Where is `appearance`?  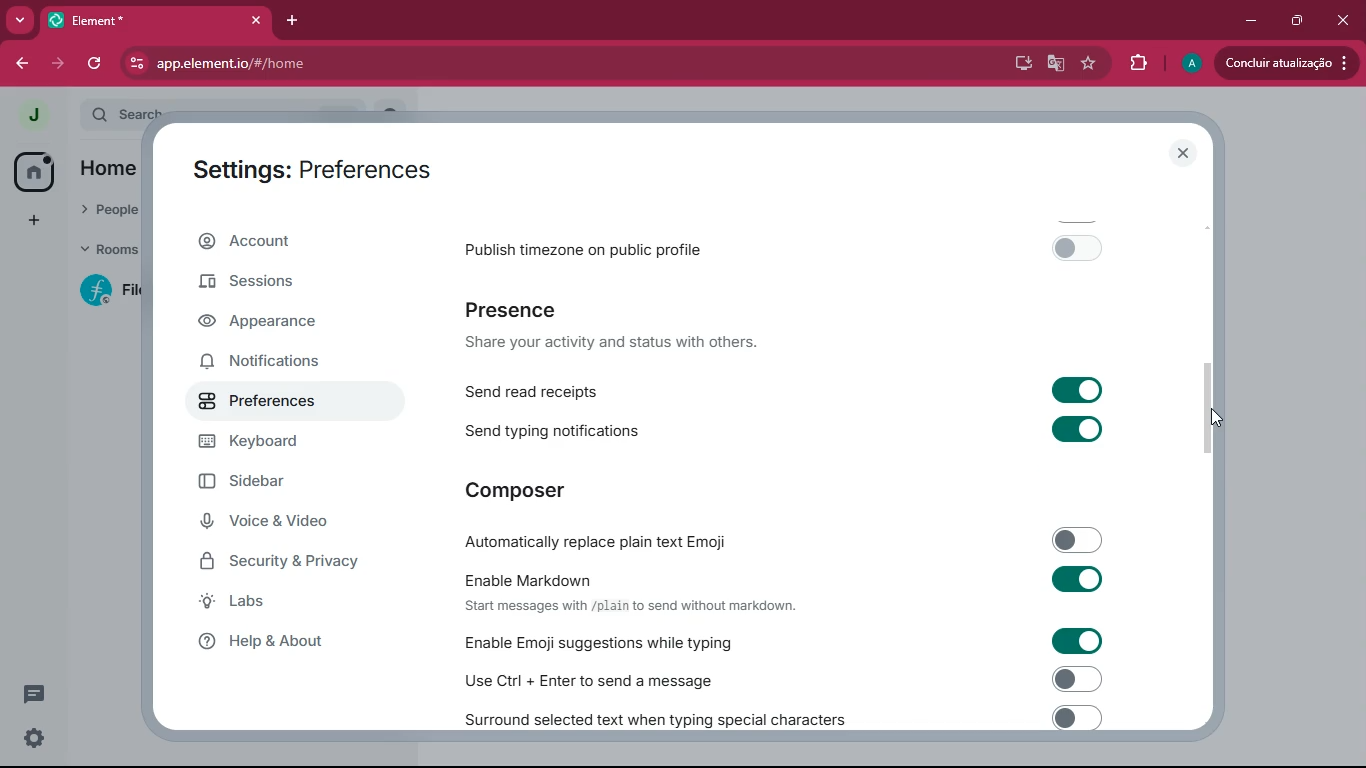
appearance is located at coordinates (270, 322).